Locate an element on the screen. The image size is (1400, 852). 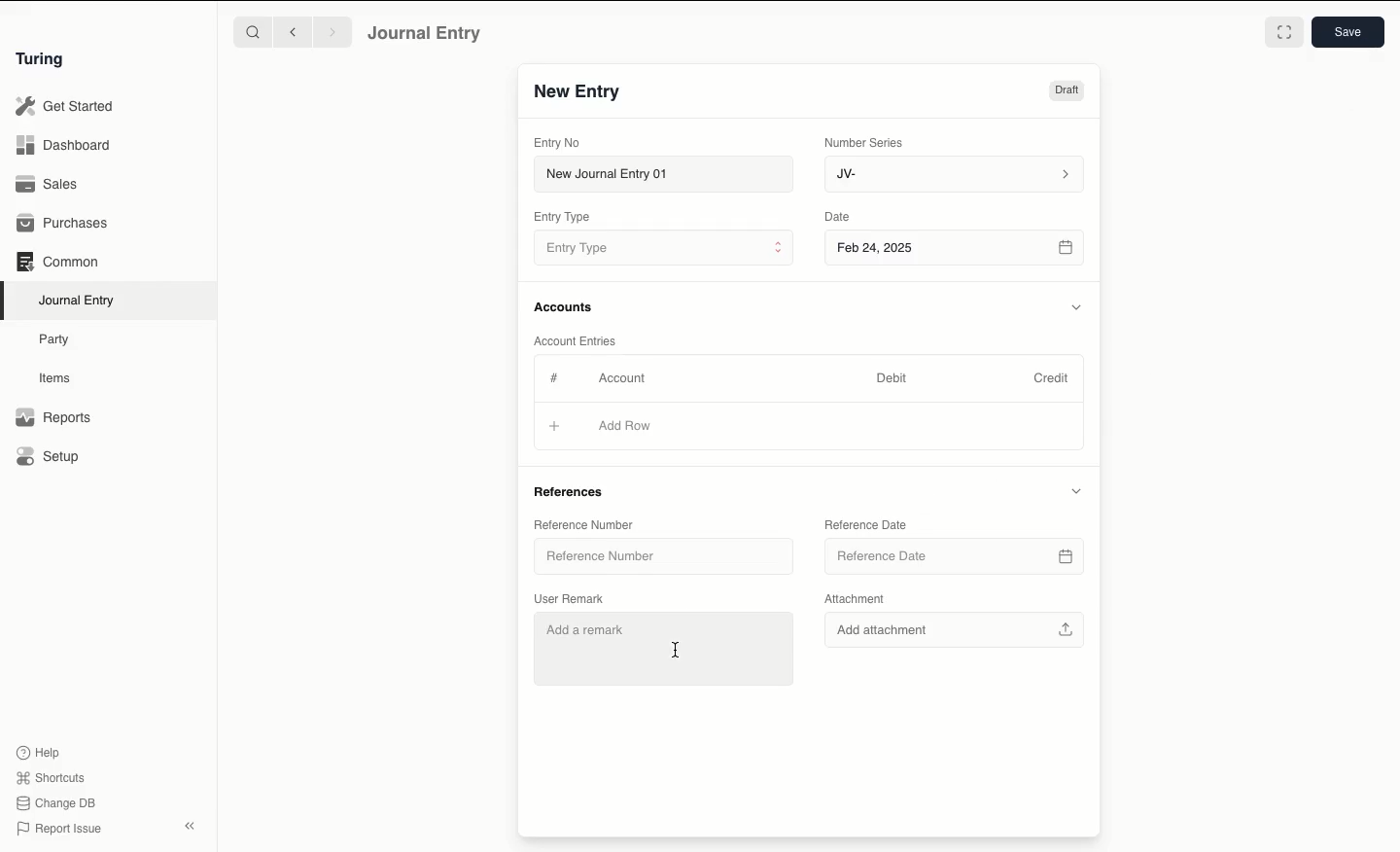
Journal Entry is located at coordinates (78, 302).